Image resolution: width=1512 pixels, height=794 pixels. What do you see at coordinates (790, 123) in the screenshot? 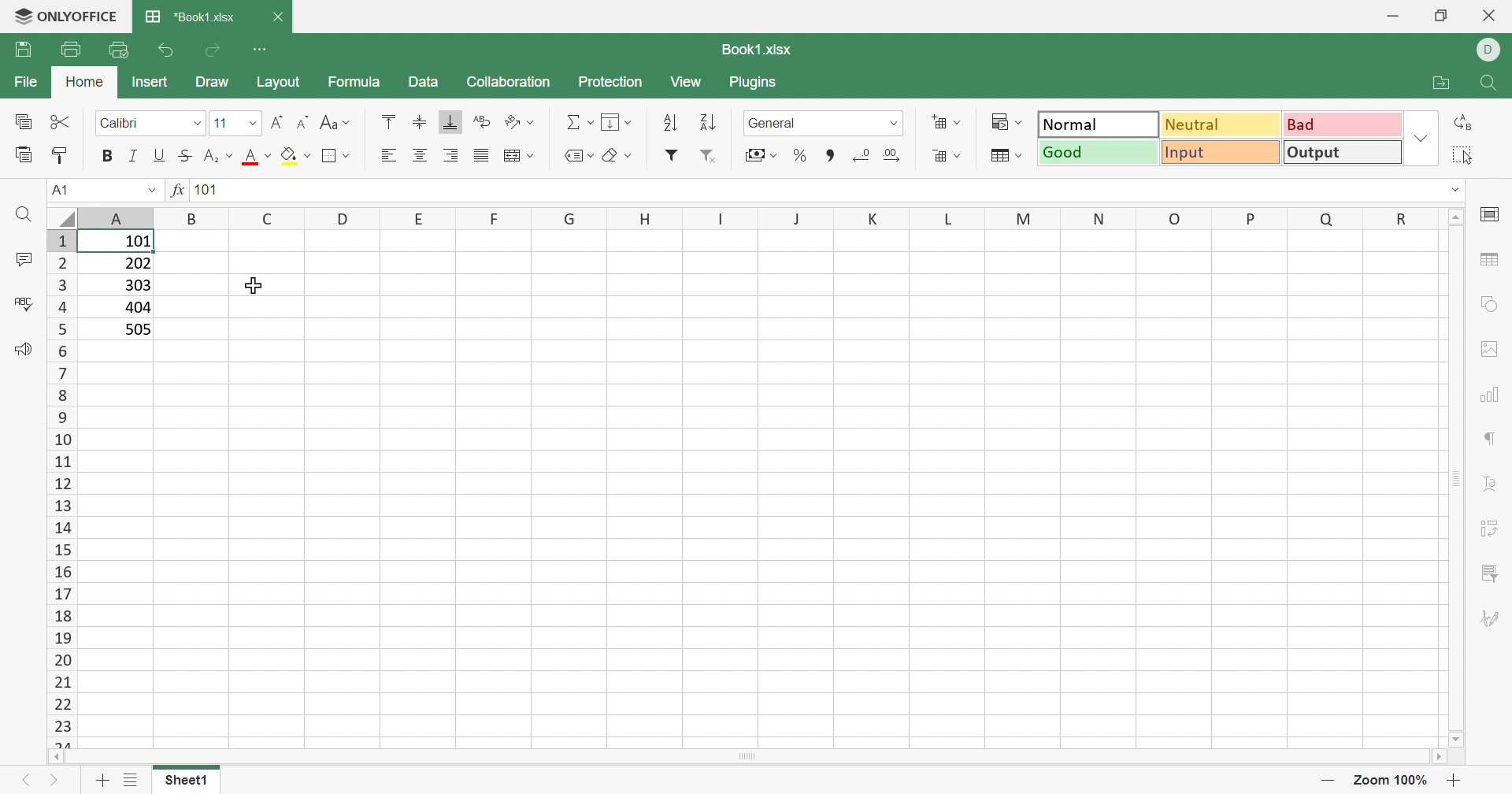
I see `Number format` at bounding box center [790, 123].